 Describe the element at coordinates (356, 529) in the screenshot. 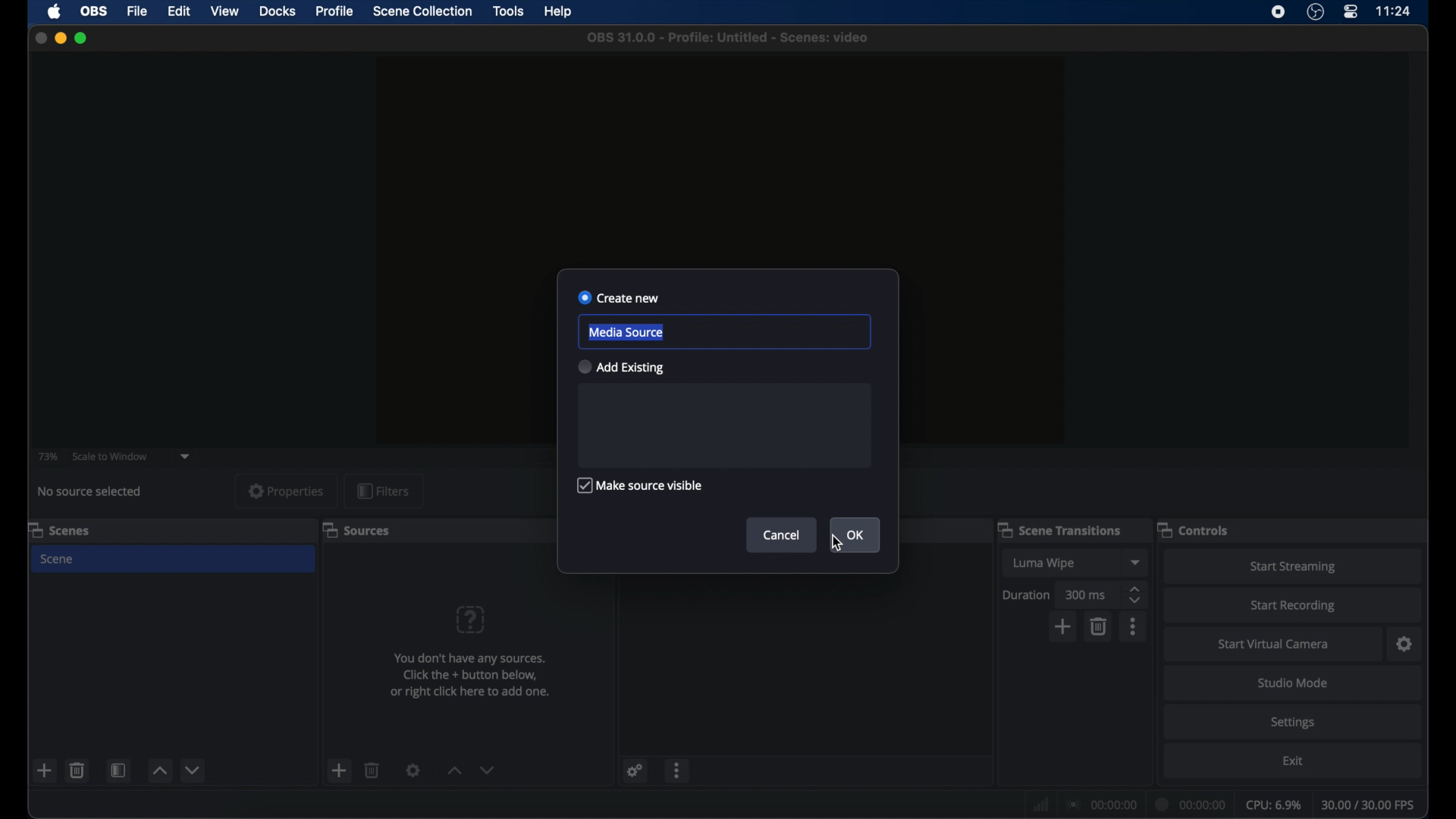

I see `sources` at that location.